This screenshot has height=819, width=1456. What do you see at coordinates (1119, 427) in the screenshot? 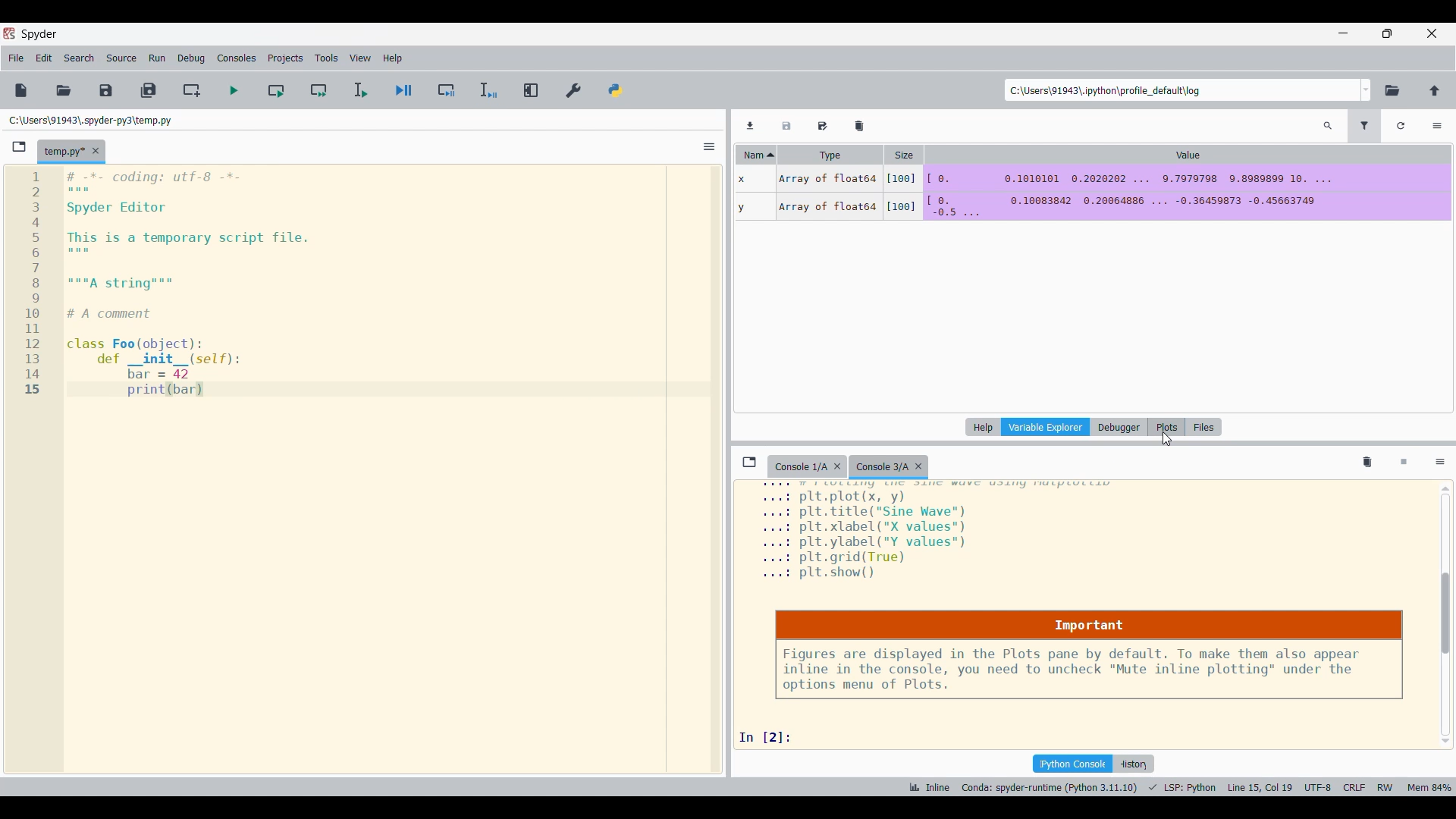
I see `Debugger` at bounding box center [1119, 427].